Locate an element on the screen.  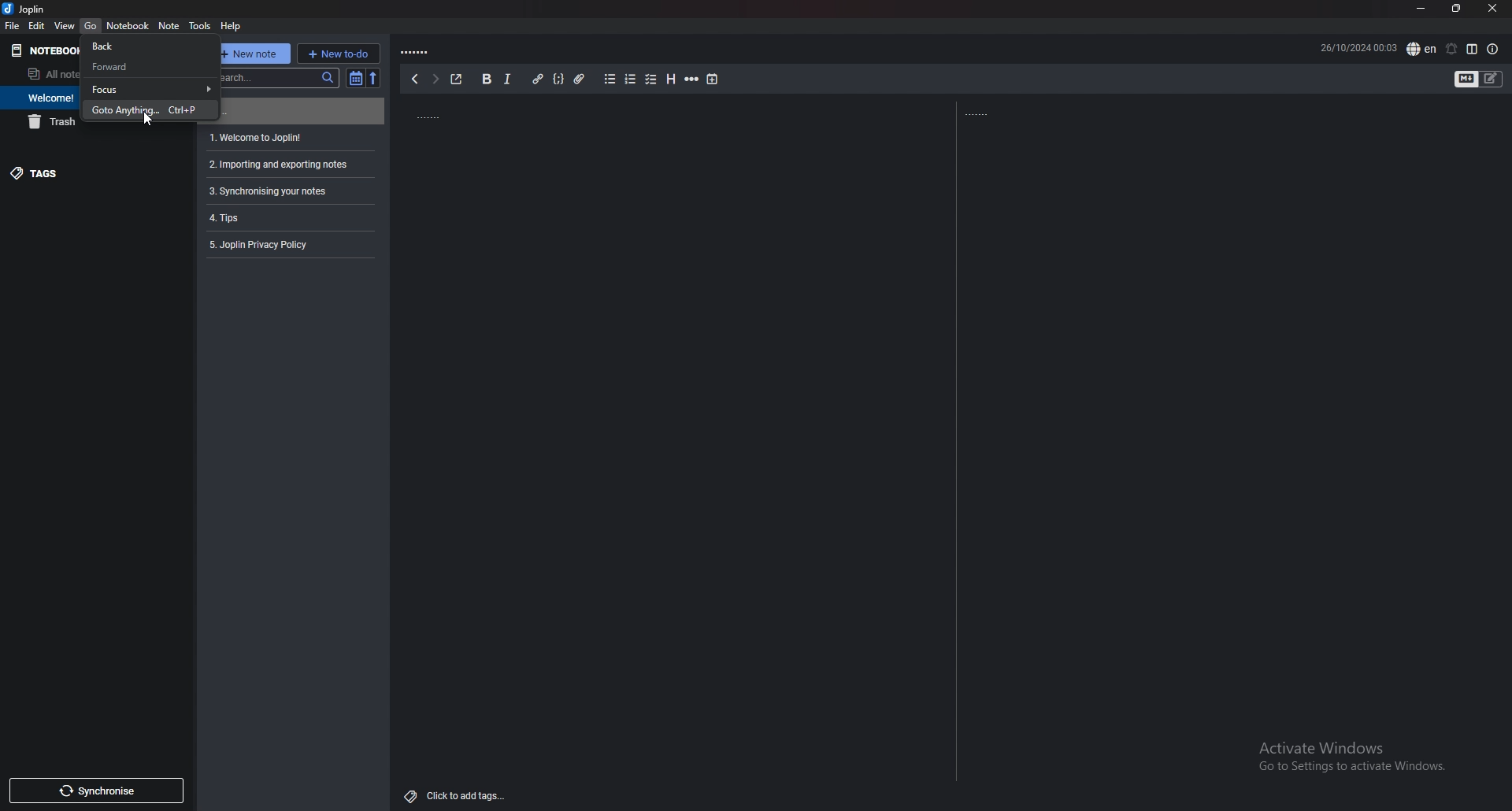
resize is located at coordinates (1460, 9).